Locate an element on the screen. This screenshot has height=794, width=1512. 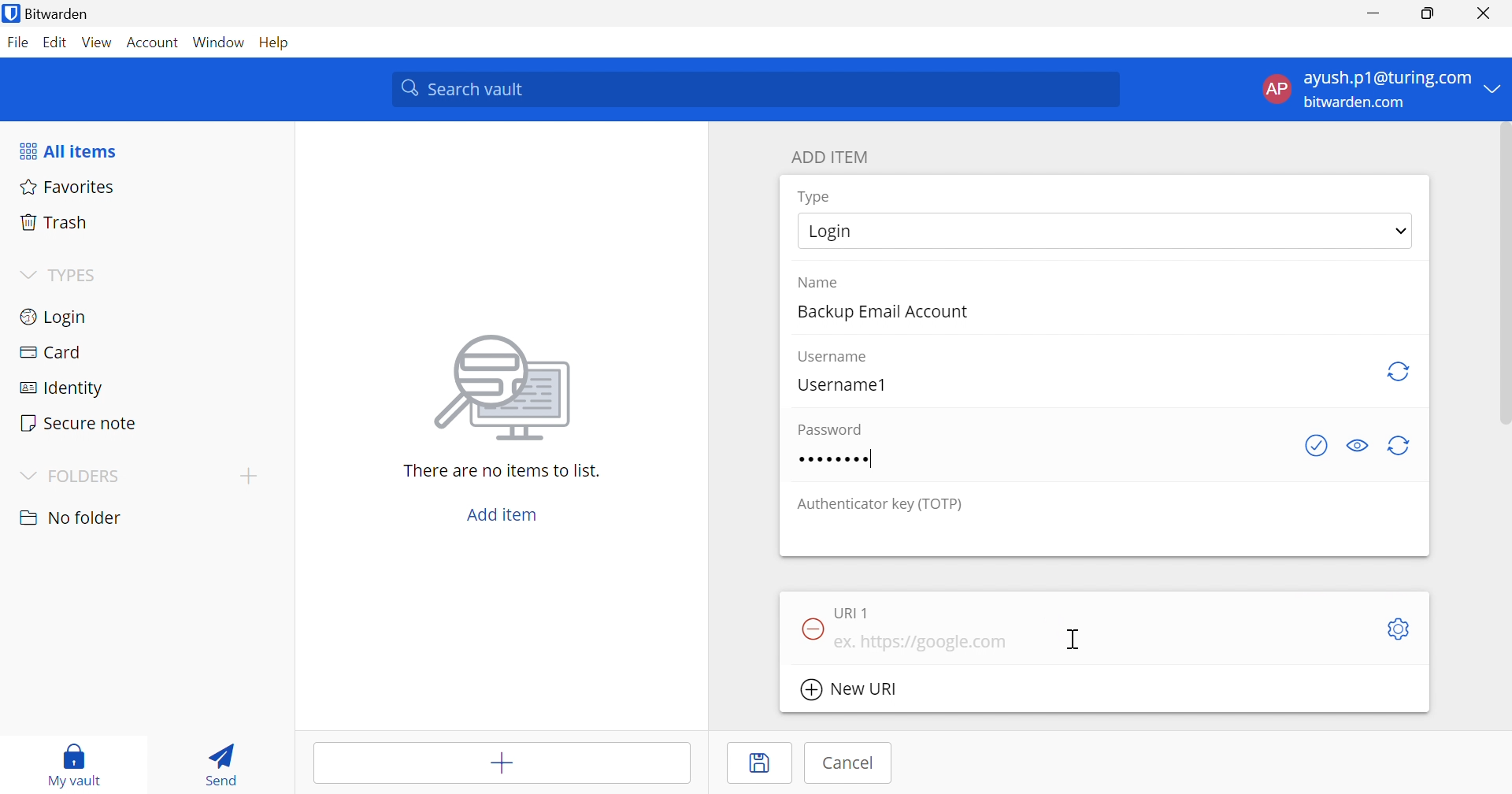
Account is located at coordinates (154, 40).